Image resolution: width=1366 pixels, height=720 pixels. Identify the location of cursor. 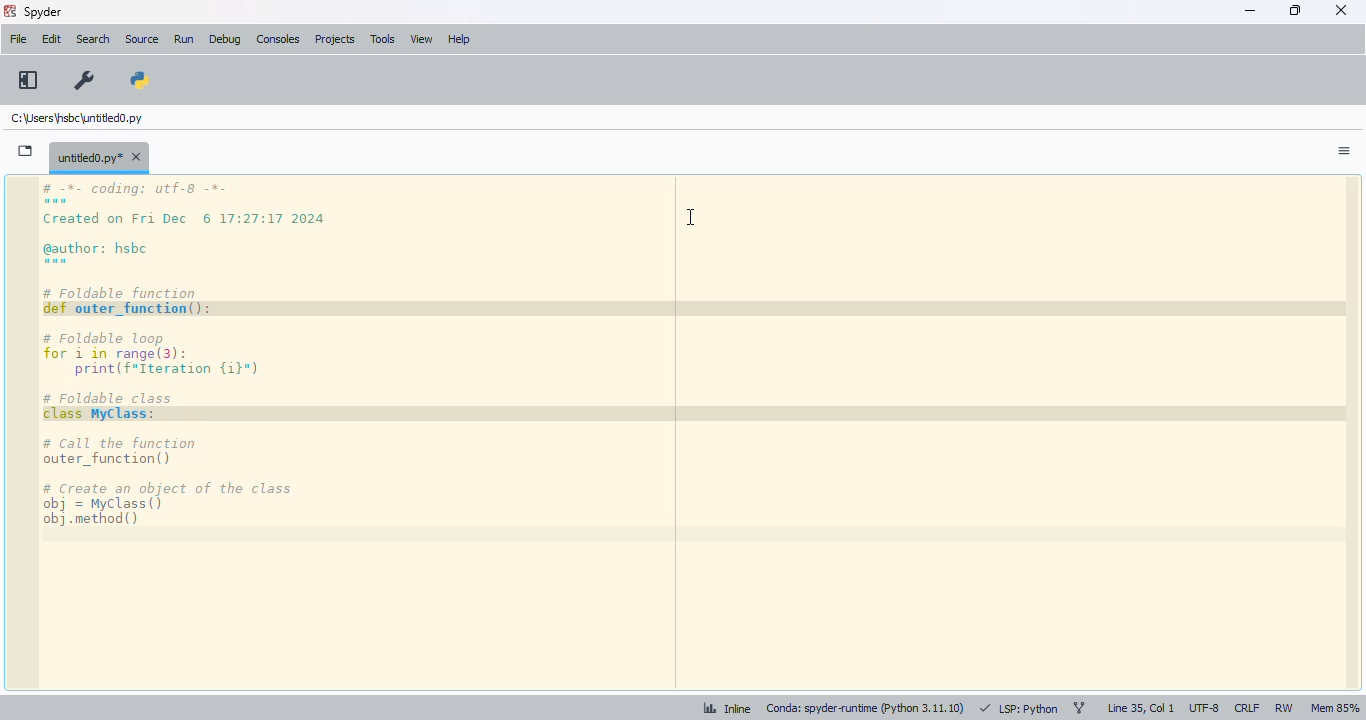
(691, 217).